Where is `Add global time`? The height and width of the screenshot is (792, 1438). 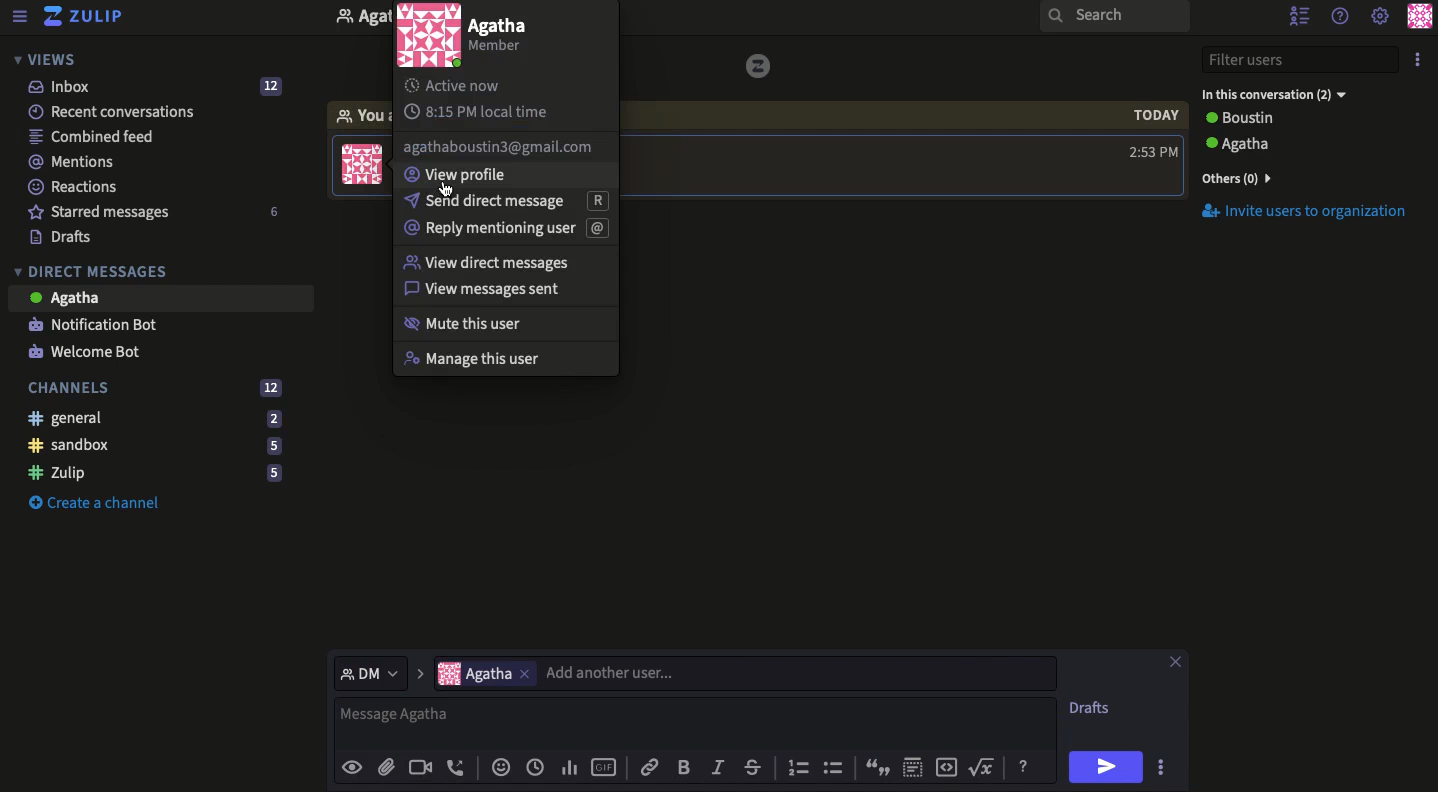 Add global time is located at coordinates (539, 767).